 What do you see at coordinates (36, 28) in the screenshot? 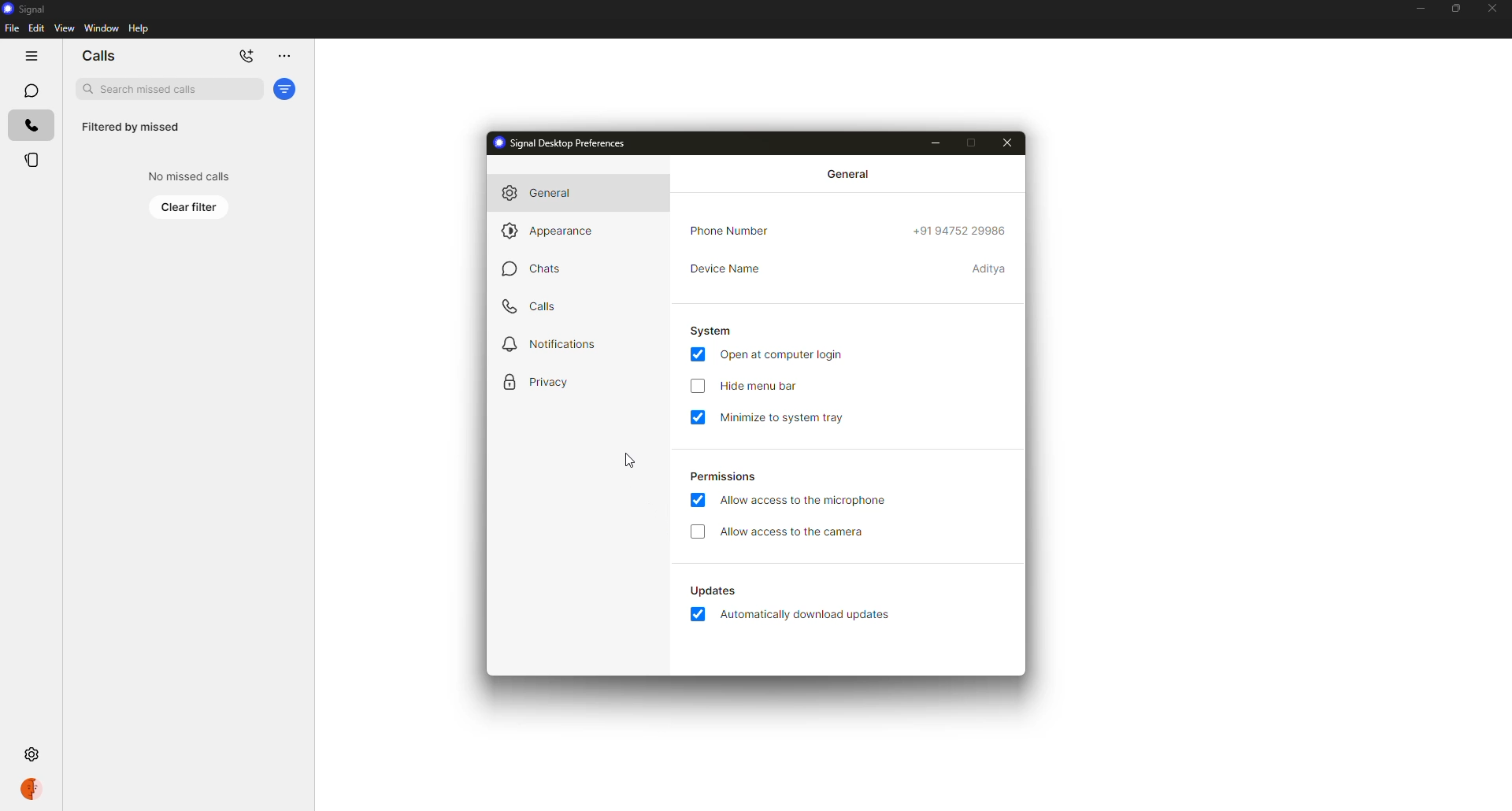
I see `edit` at bounding box center [36, 28].